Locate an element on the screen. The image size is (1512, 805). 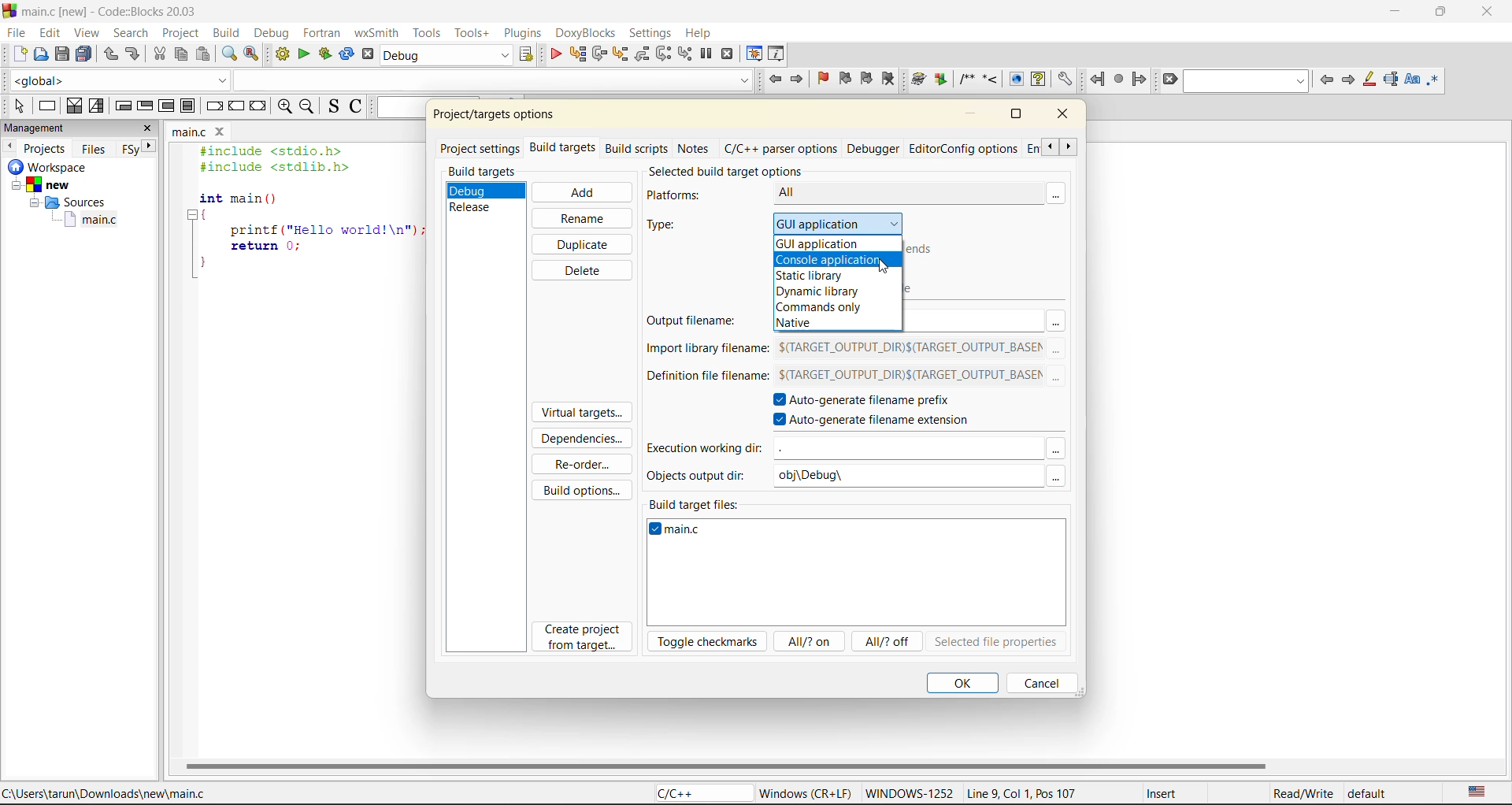
build targets is located at coordinates (484, 172).